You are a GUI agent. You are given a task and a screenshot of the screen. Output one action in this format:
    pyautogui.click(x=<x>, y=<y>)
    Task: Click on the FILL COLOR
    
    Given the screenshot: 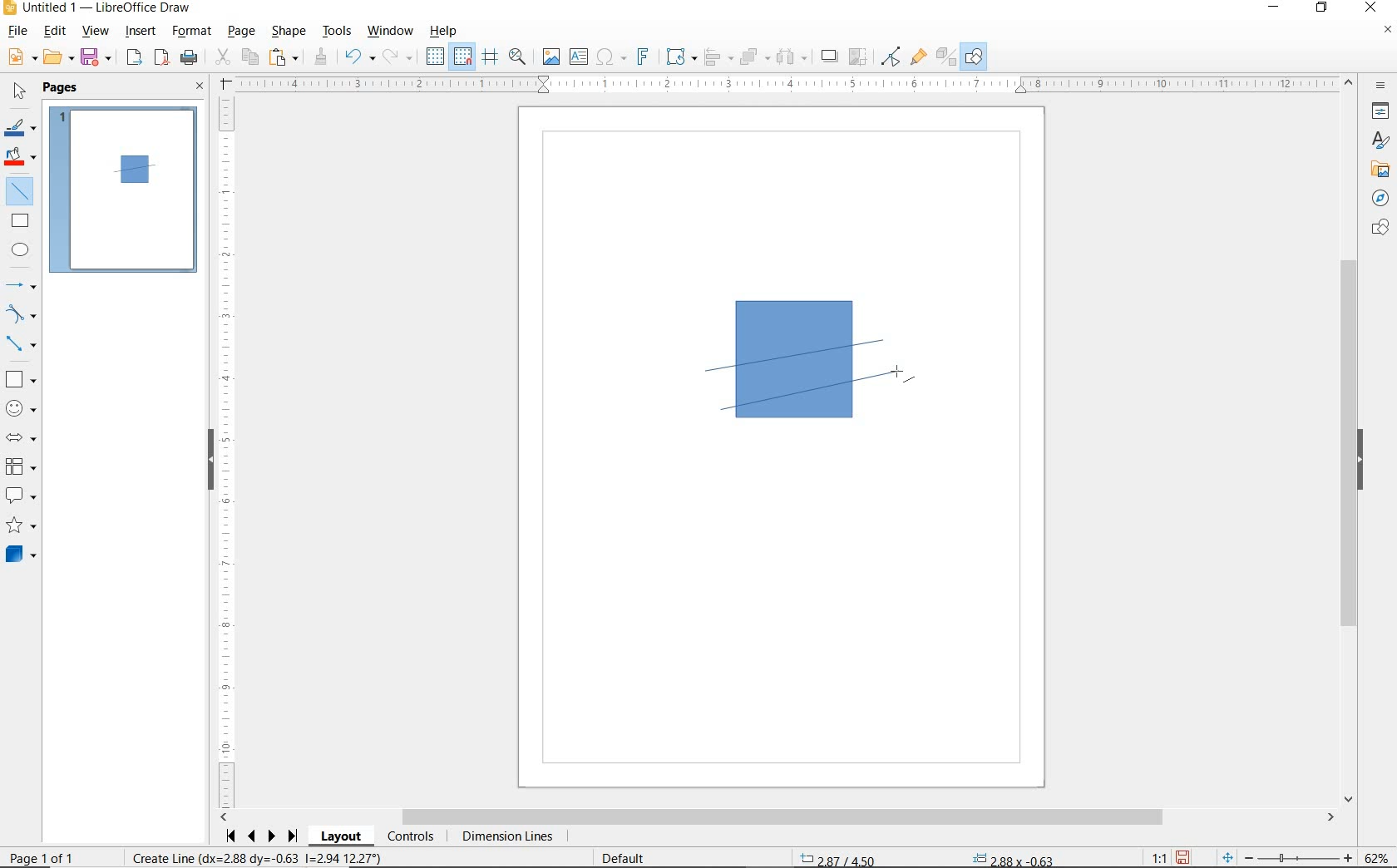 What is the action you would take?
    pyautogui.click(x=22, y=159)
    